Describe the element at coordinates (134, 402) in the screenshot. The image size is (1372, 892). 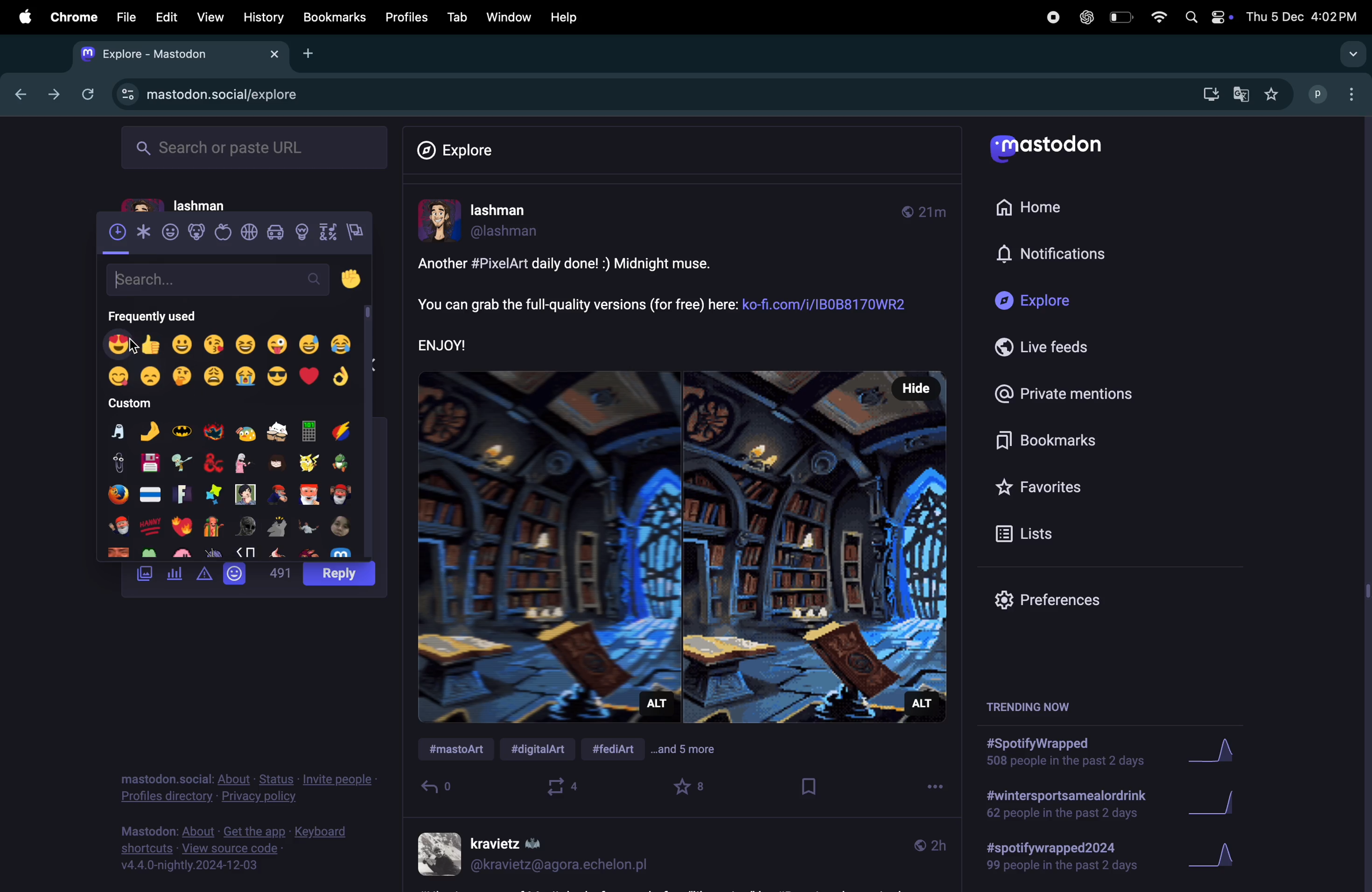
I see `custom` at that location.